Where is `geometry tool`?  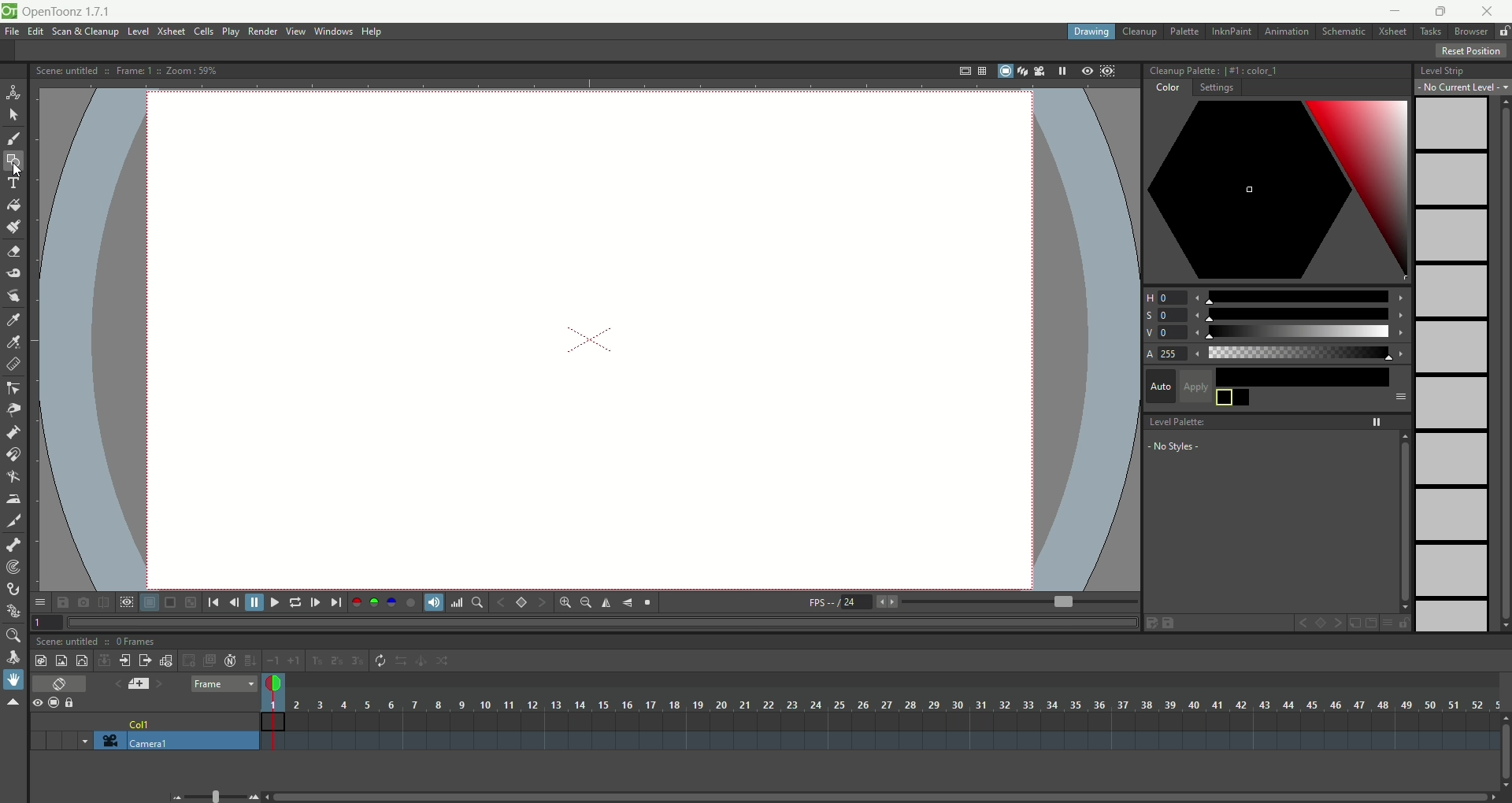 geometry tool is located at coordinates (13, 159).